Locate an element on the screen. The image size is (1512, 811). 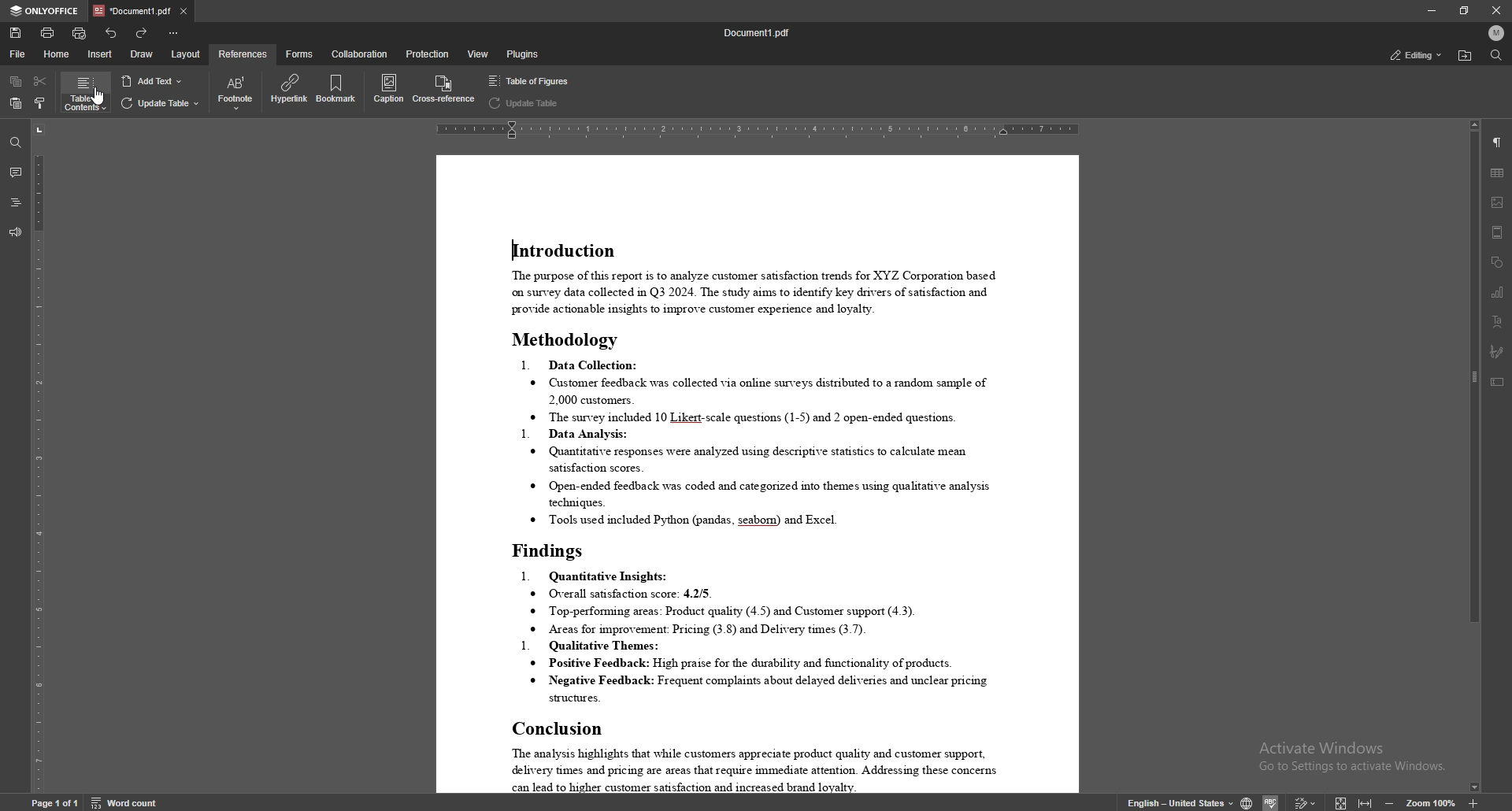
paragraph is located at coordinates (1497, 143).